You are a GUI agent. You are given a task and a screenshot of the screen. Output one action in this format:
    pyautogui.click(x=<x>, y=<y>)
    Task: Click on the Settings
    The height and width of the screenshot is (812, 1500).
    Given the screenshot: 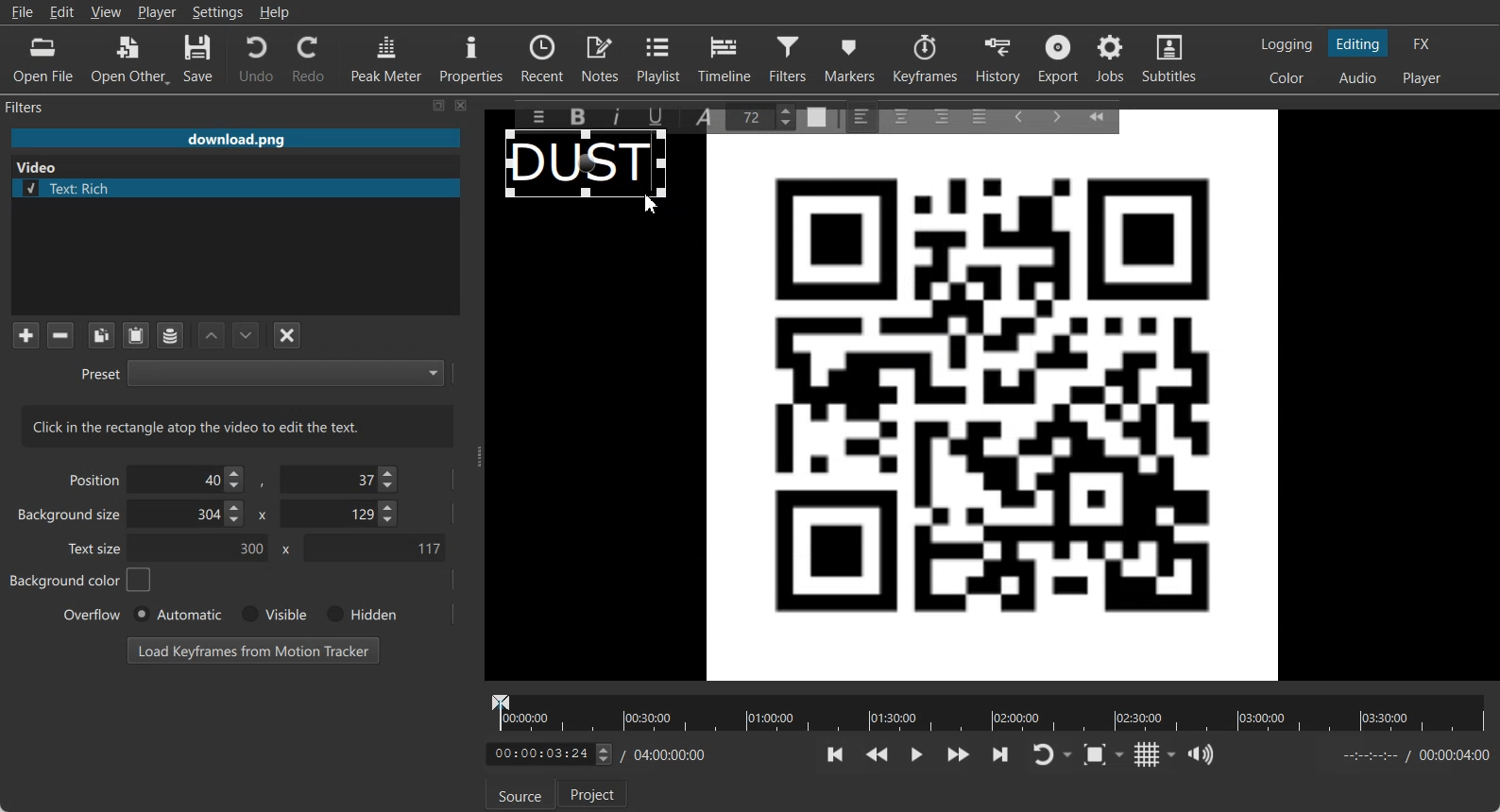 What is the action you would take?
    pyautogui.click(x=218, y=12)
    